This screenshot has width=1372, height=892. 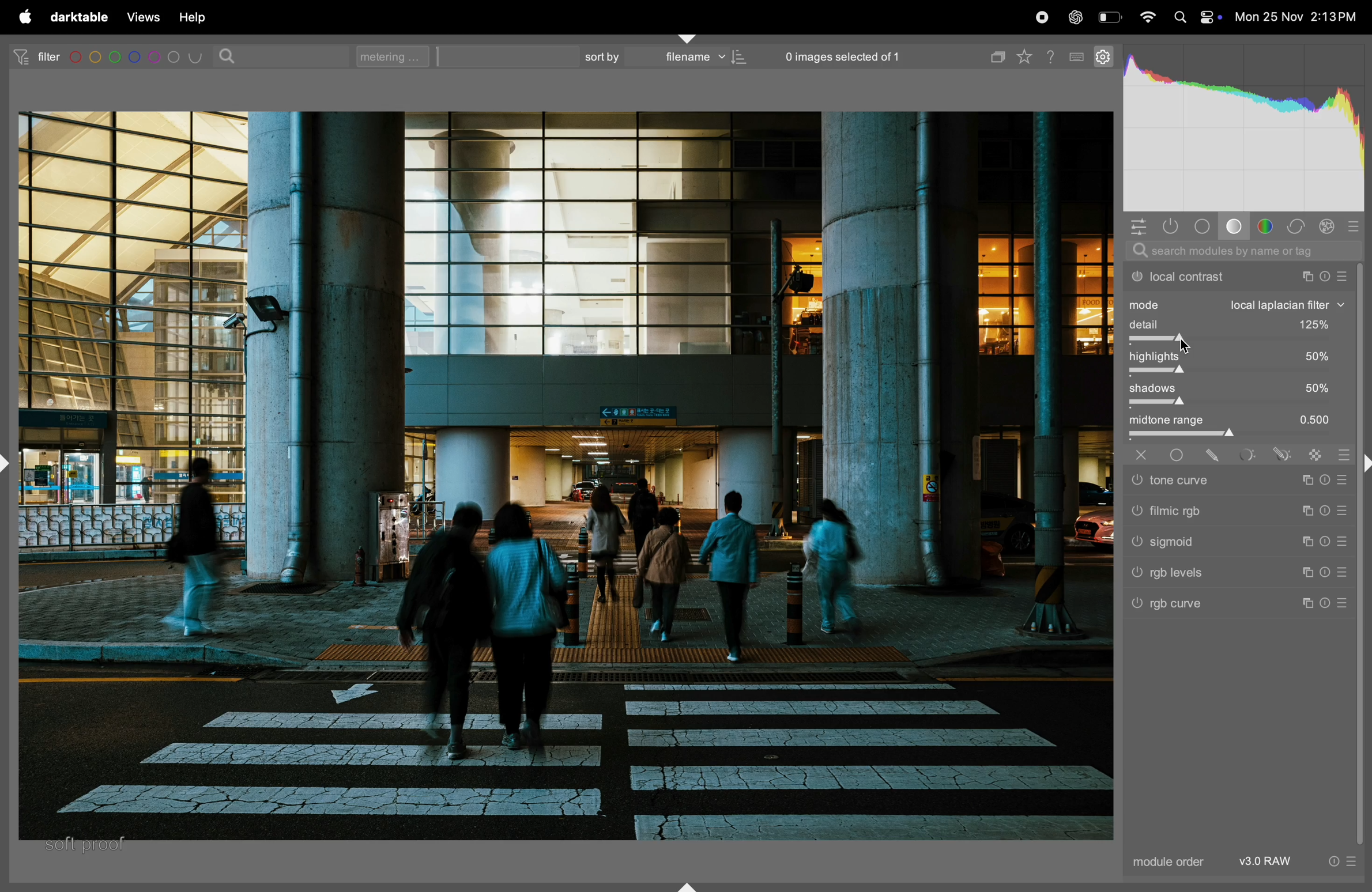 What do you see at coordinates (78, 17) in the screenshot?
I see `darktable` at bounding box center [78, 17].